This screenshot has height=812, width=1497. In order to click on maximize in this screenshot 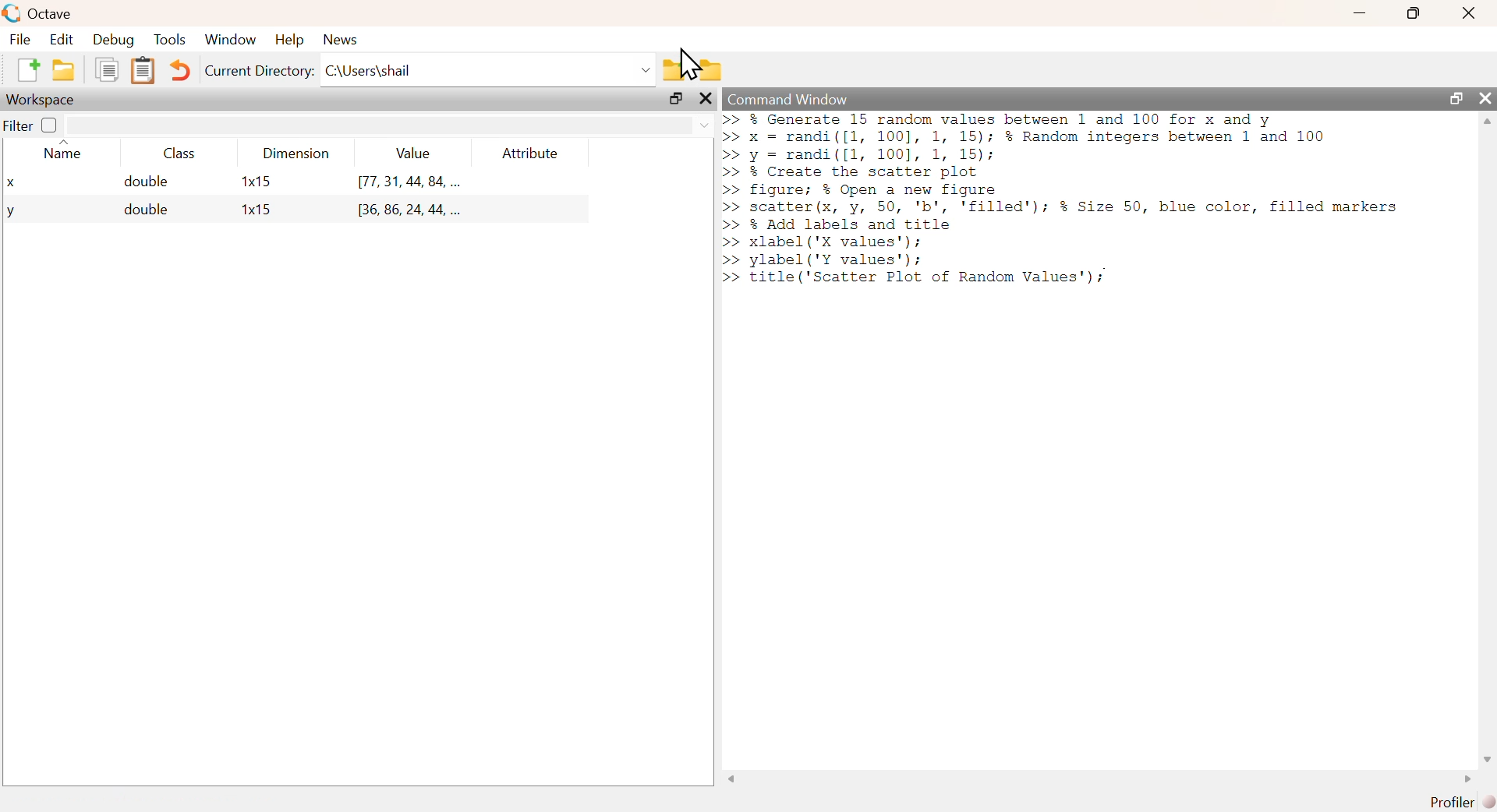, I will do `click(1414, 12)`.